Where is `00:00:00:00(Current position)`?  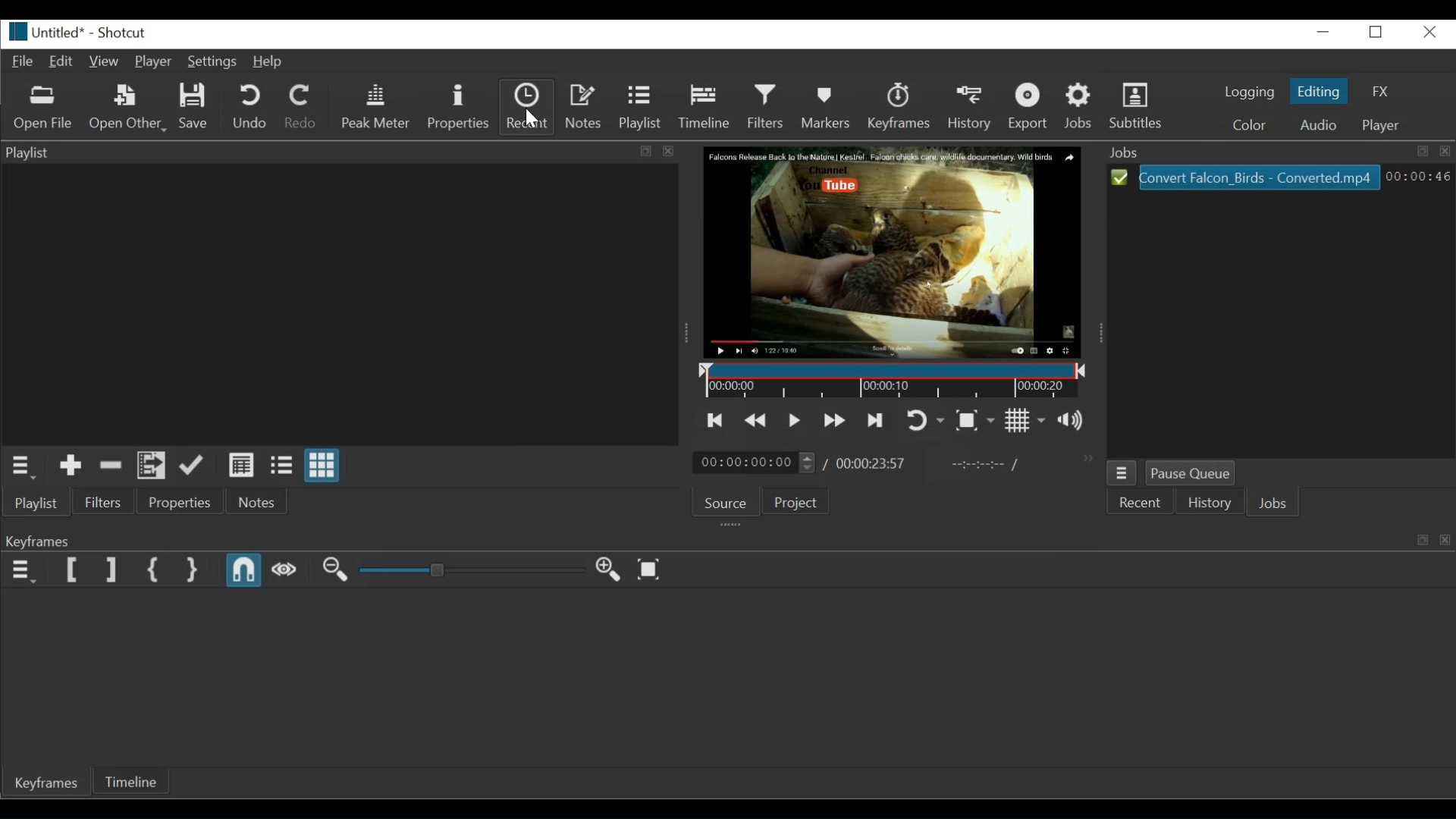
00:00:00:00(Current position) is located at coordinates (754, 463).